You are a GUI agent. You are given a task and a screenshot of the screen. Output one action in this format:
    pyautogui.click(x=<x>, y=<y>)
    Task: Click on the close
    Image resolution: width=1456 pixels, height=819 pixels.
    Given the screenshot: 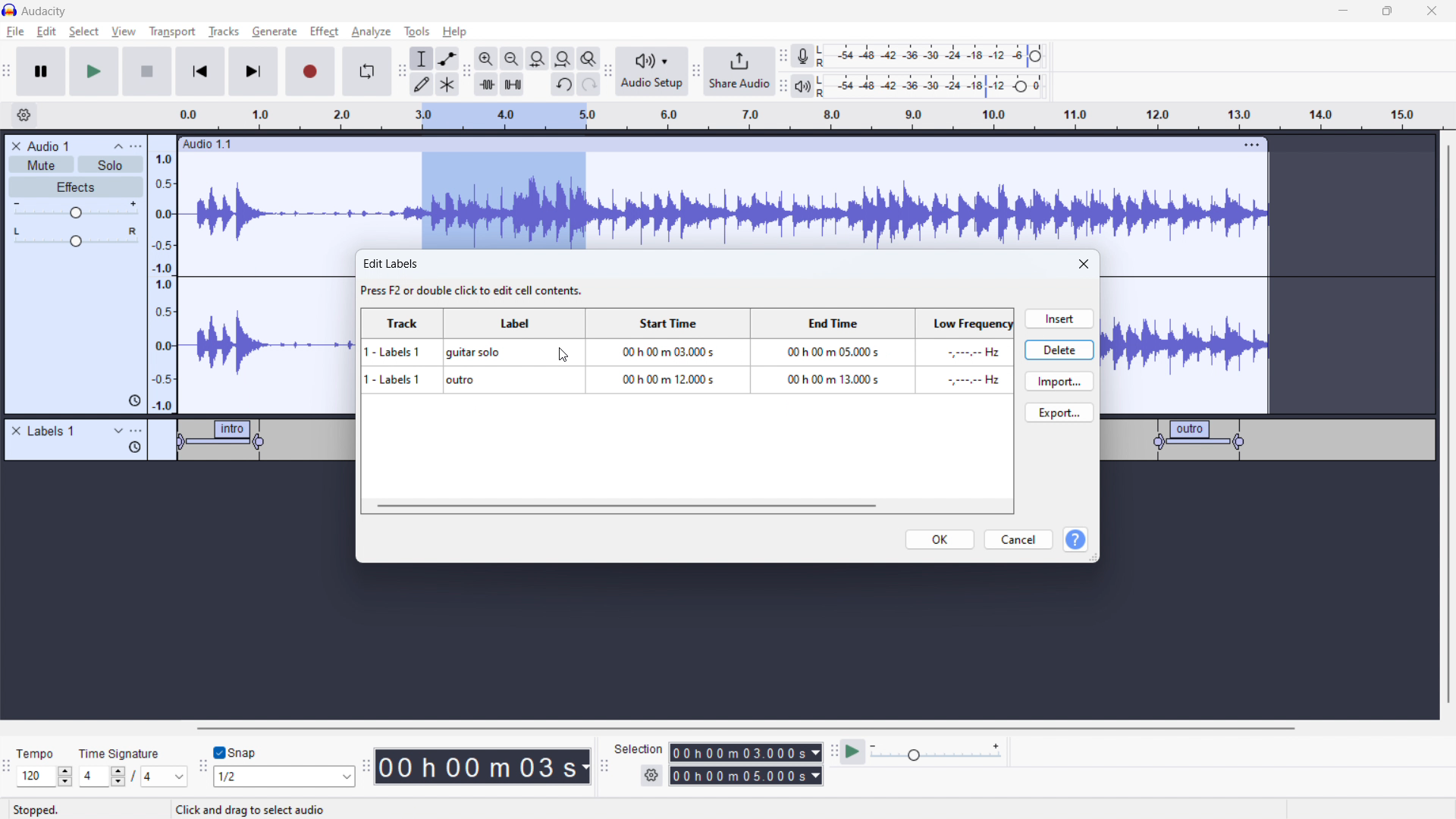 What is the action you would take?
    pyautogui.click(x=1432, y=11)
    